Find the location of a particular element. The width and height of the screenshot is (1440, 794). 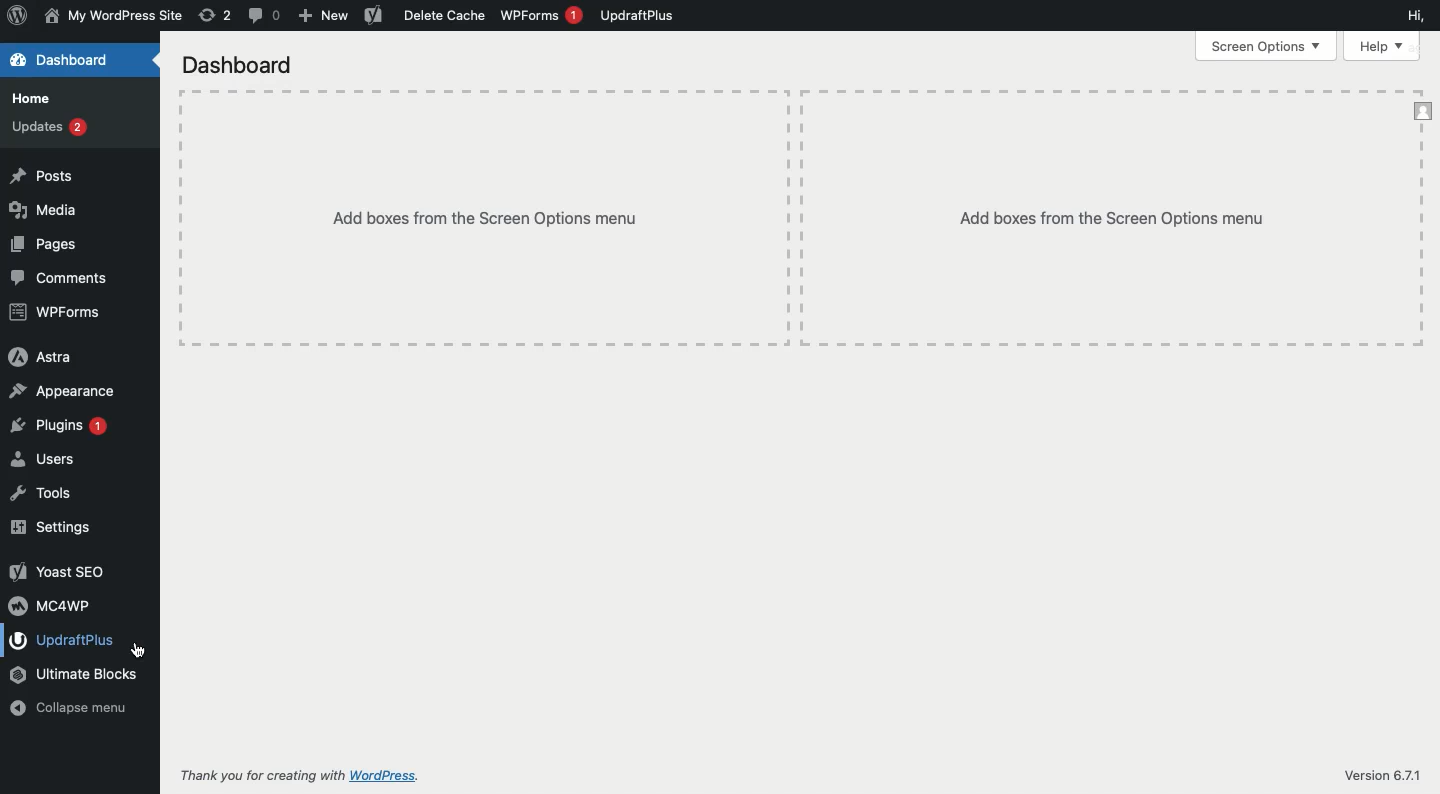

Collapse menu is located at coordinates (71, 708).